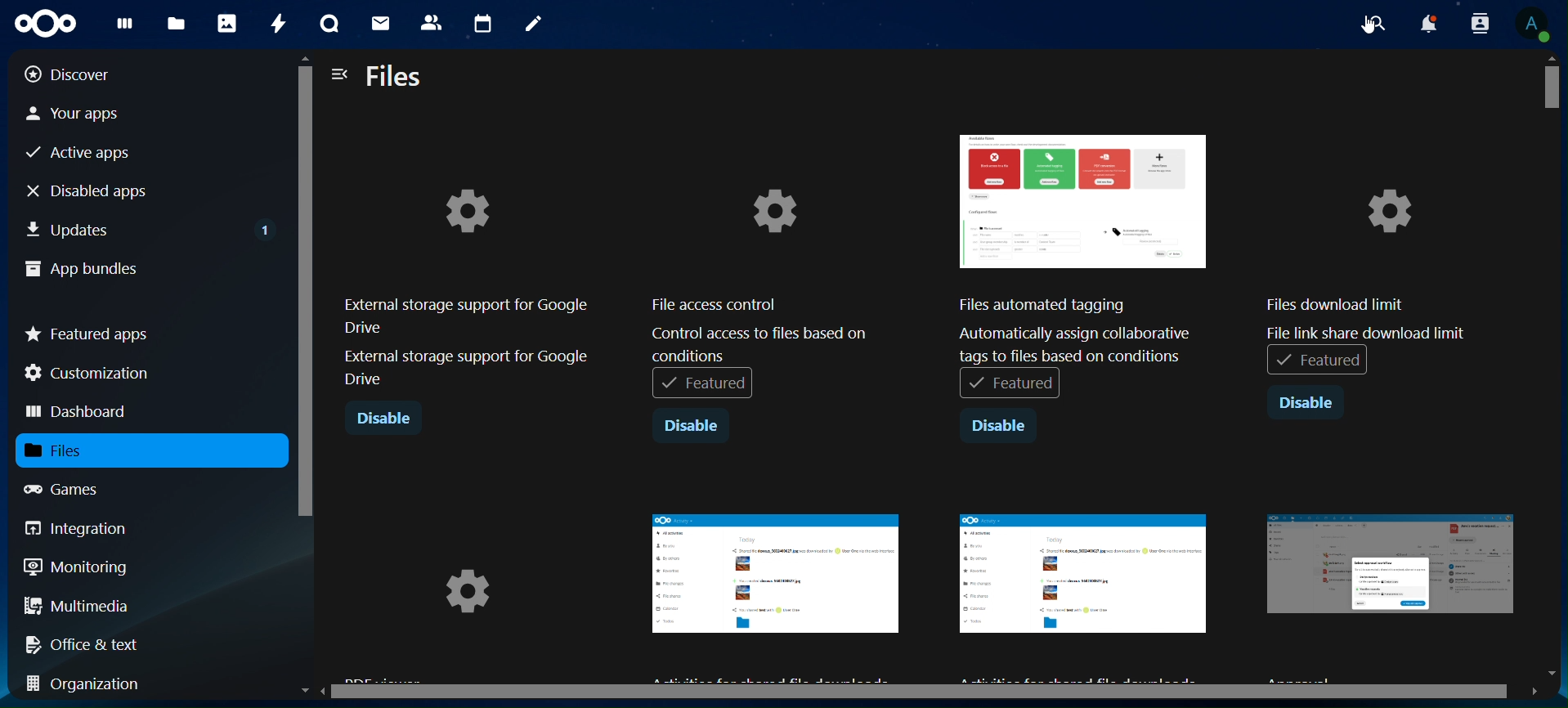 This screenshot has height=708, width=1568. What do you see at coordinates (91, 373) in the screenshot?
I see `customization` at bounding box center [91, 373].